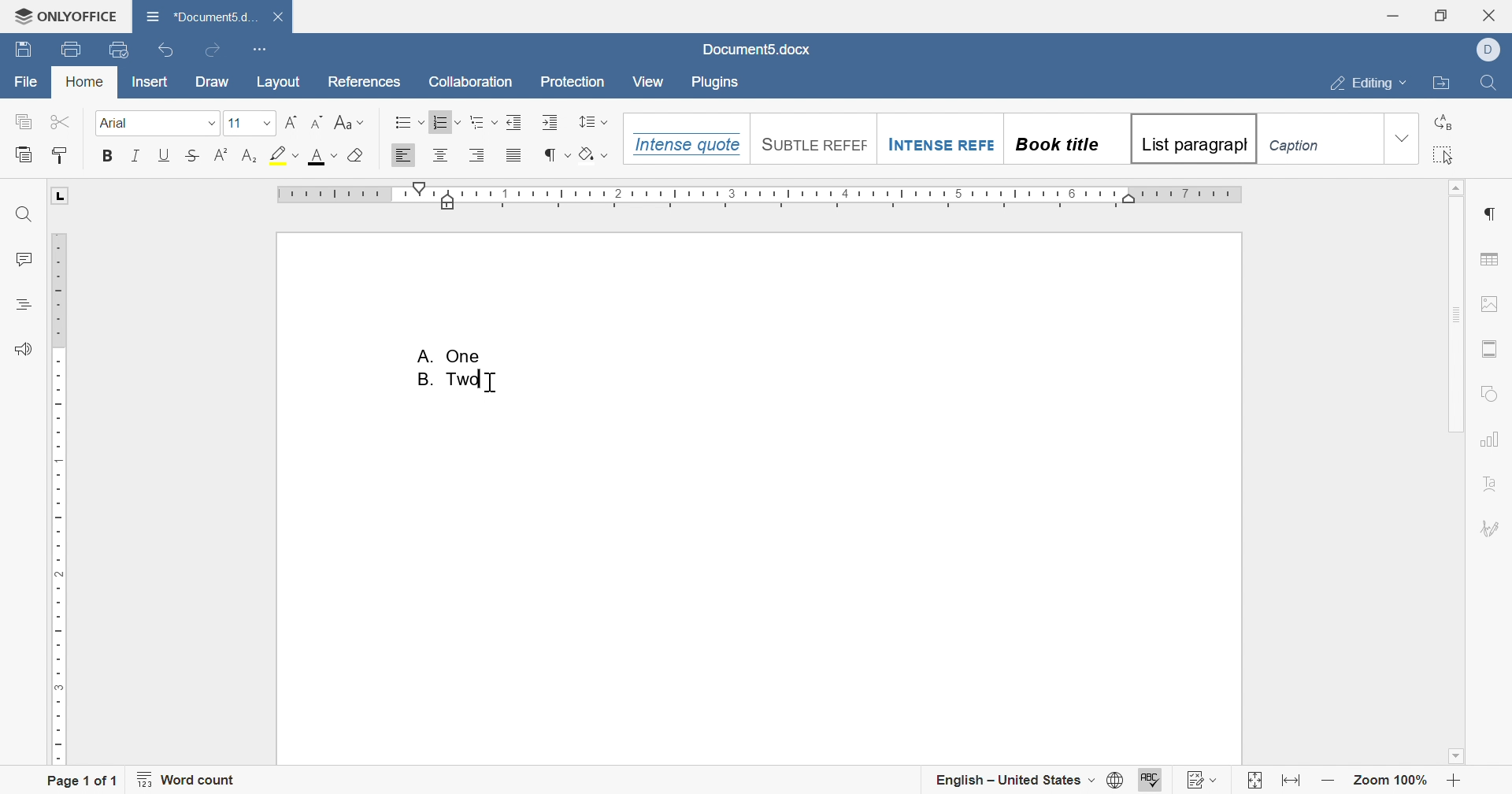 The height and width of the screenshot is (794, 1512). What do you see at coordinates (61, 195) in the screenshot?
I see `L` at bounding box center [61, 195].